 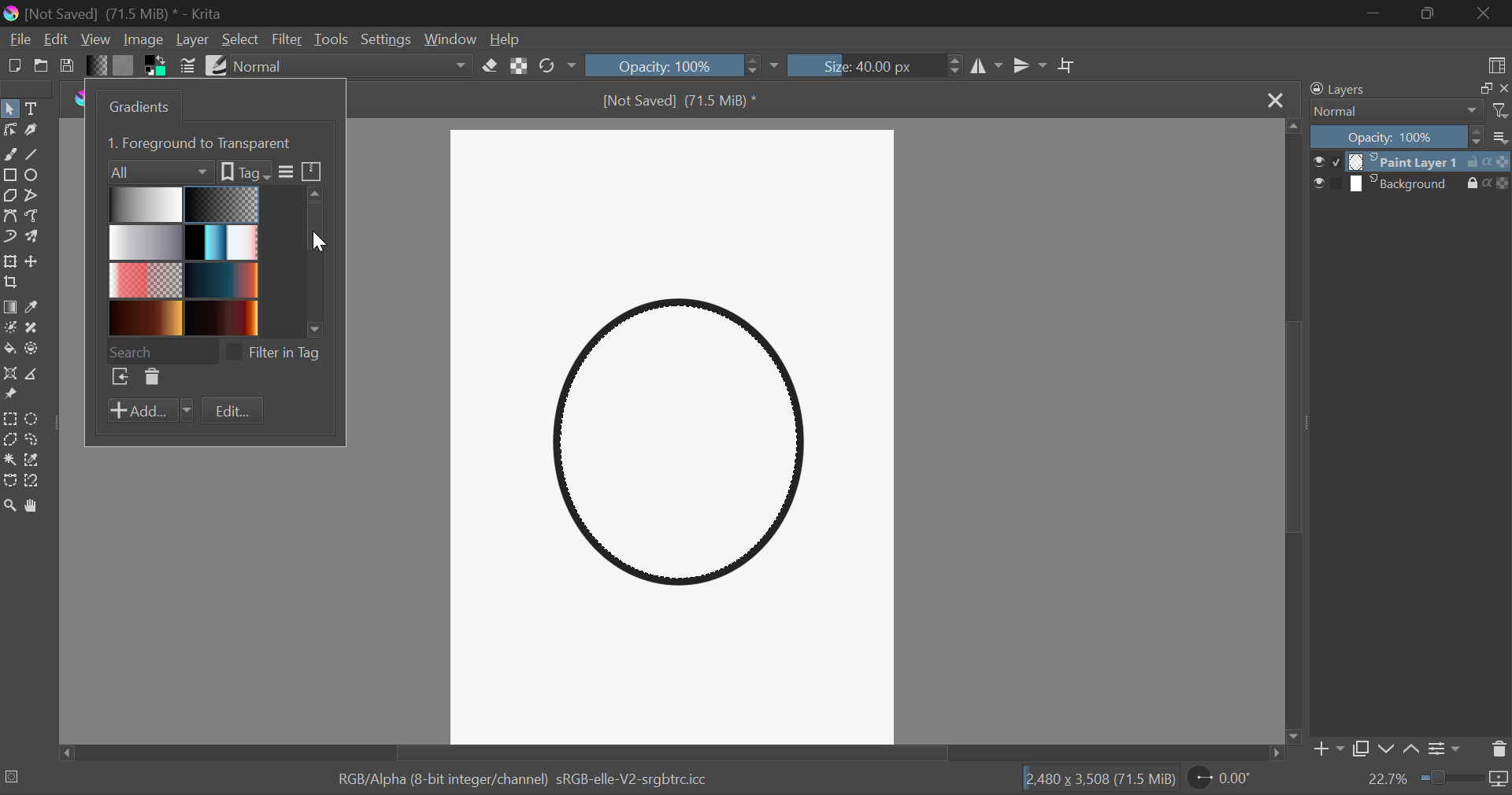 What do you see at coordinates (188, 67) in the screenshot?
I see `Brush Settings` at bounding box center [188, 67].